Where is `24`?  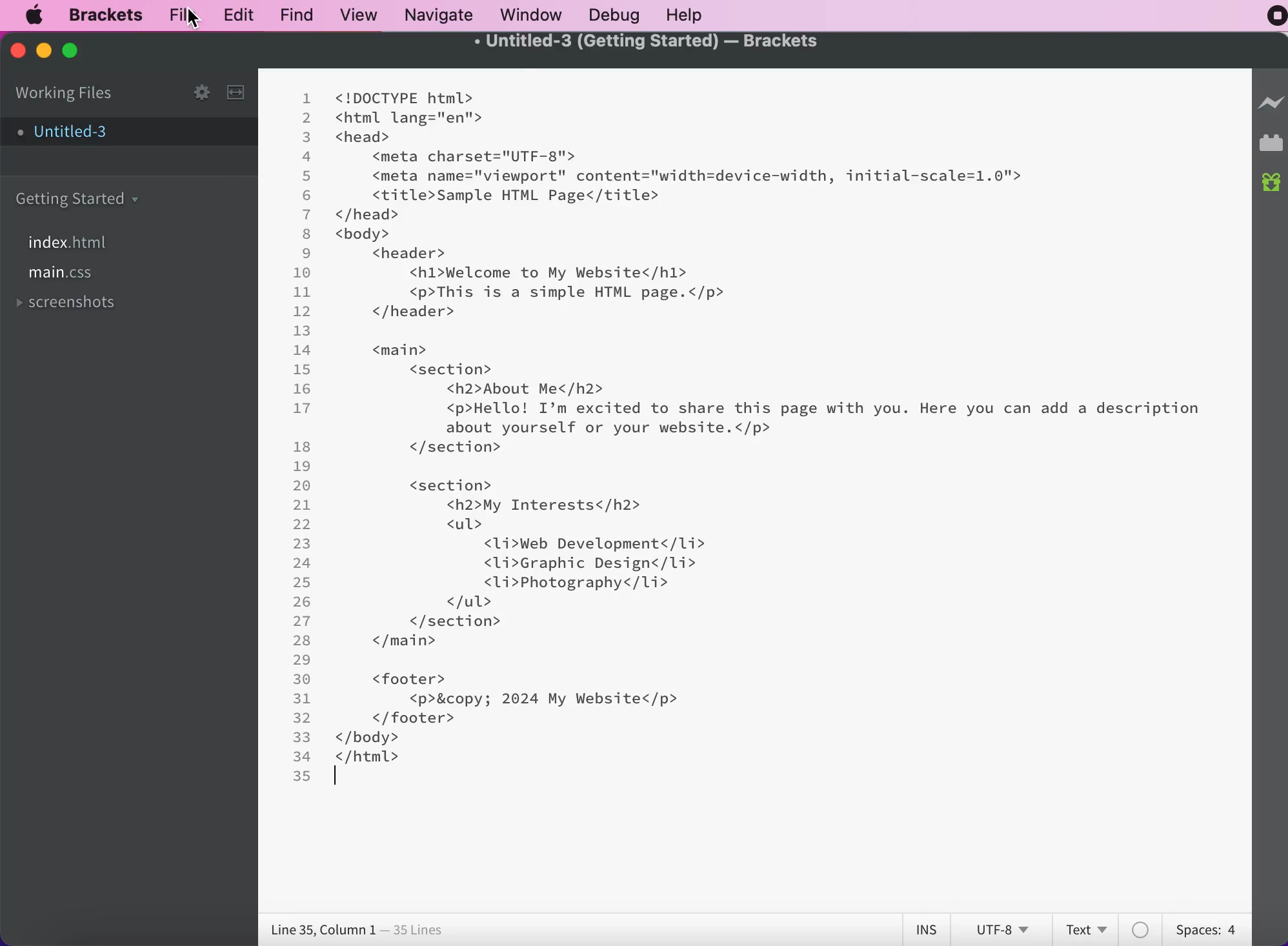
24 is located at coordinates (303, 563).